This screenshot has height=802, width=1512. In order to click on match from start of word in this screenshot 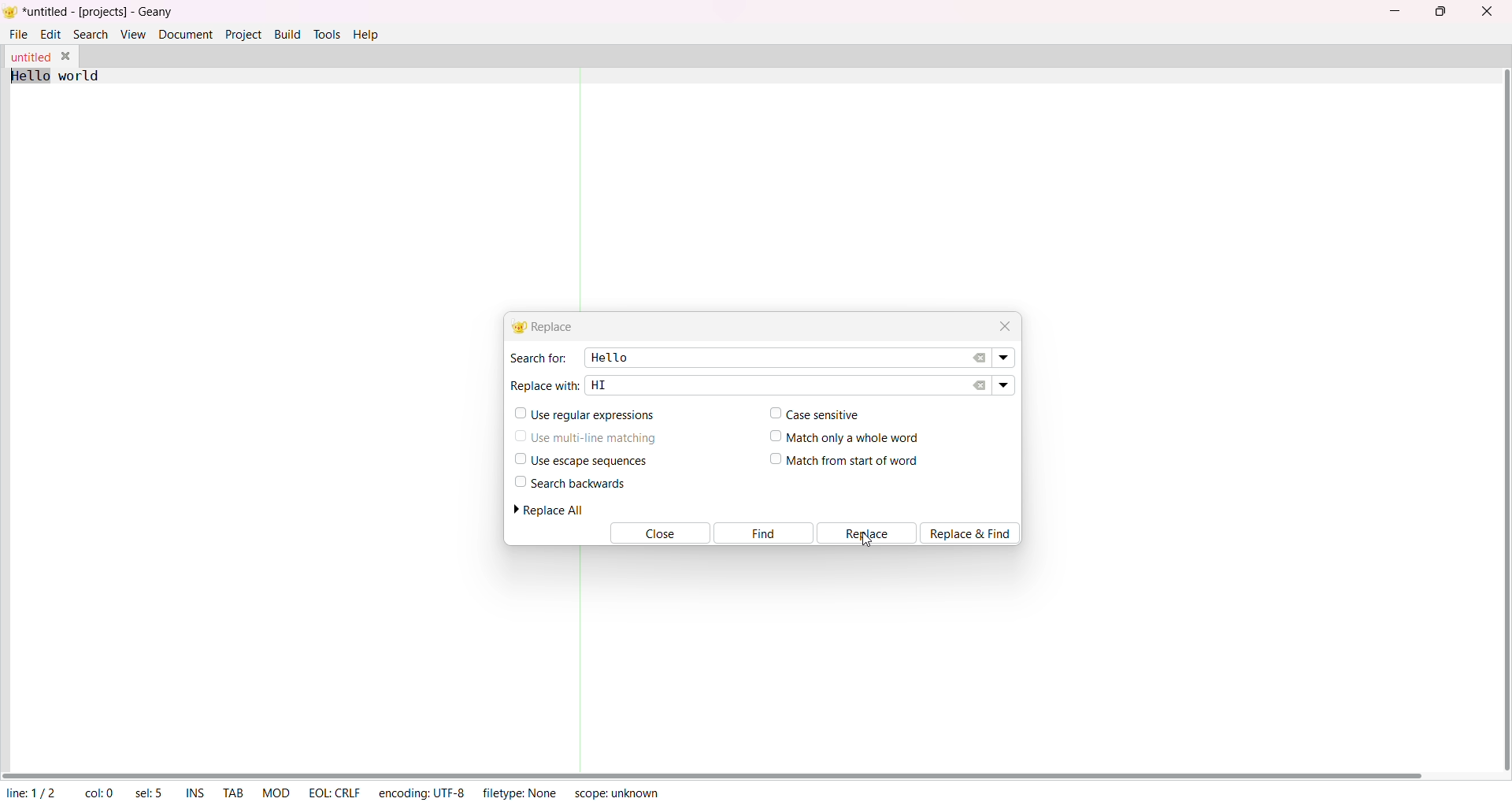, I will do `click(845, 462)`.